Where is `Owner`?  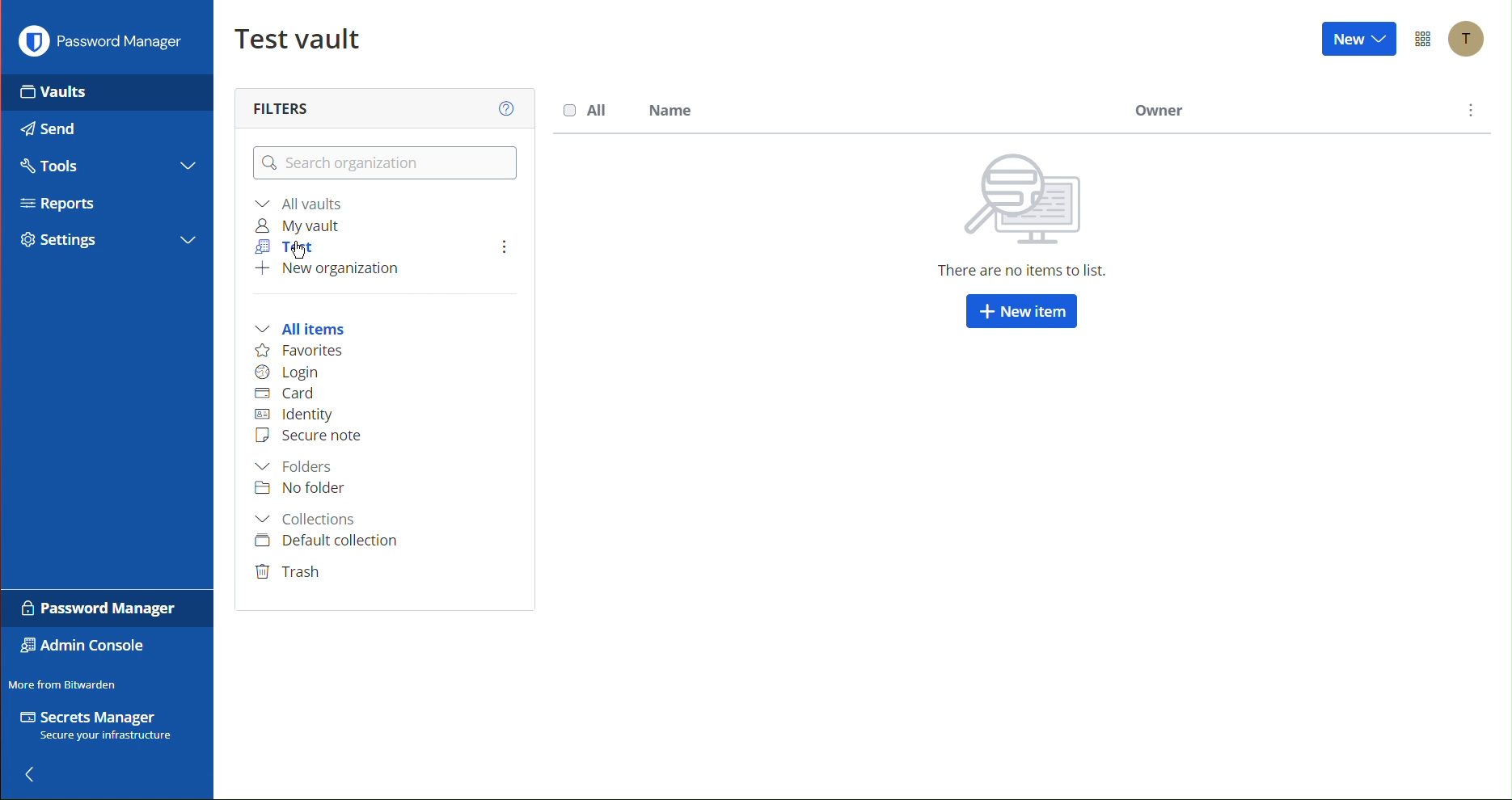
Owner is located at coordinates (1159, 114).